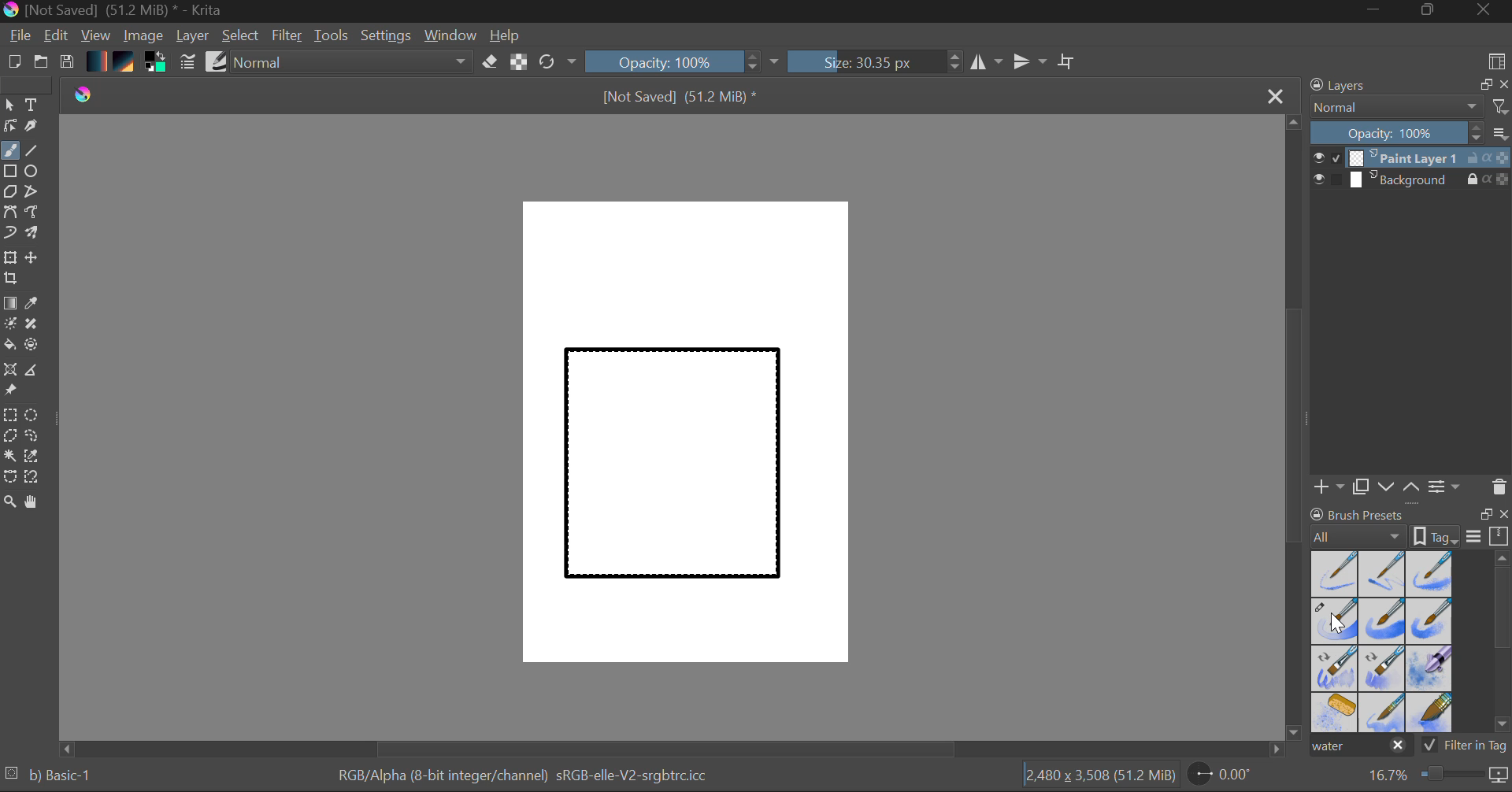 This screenshot has height=792, width=1512. Describe the element at coordinates (9, 192) in the screenshot. I see `Polygon` at that location.